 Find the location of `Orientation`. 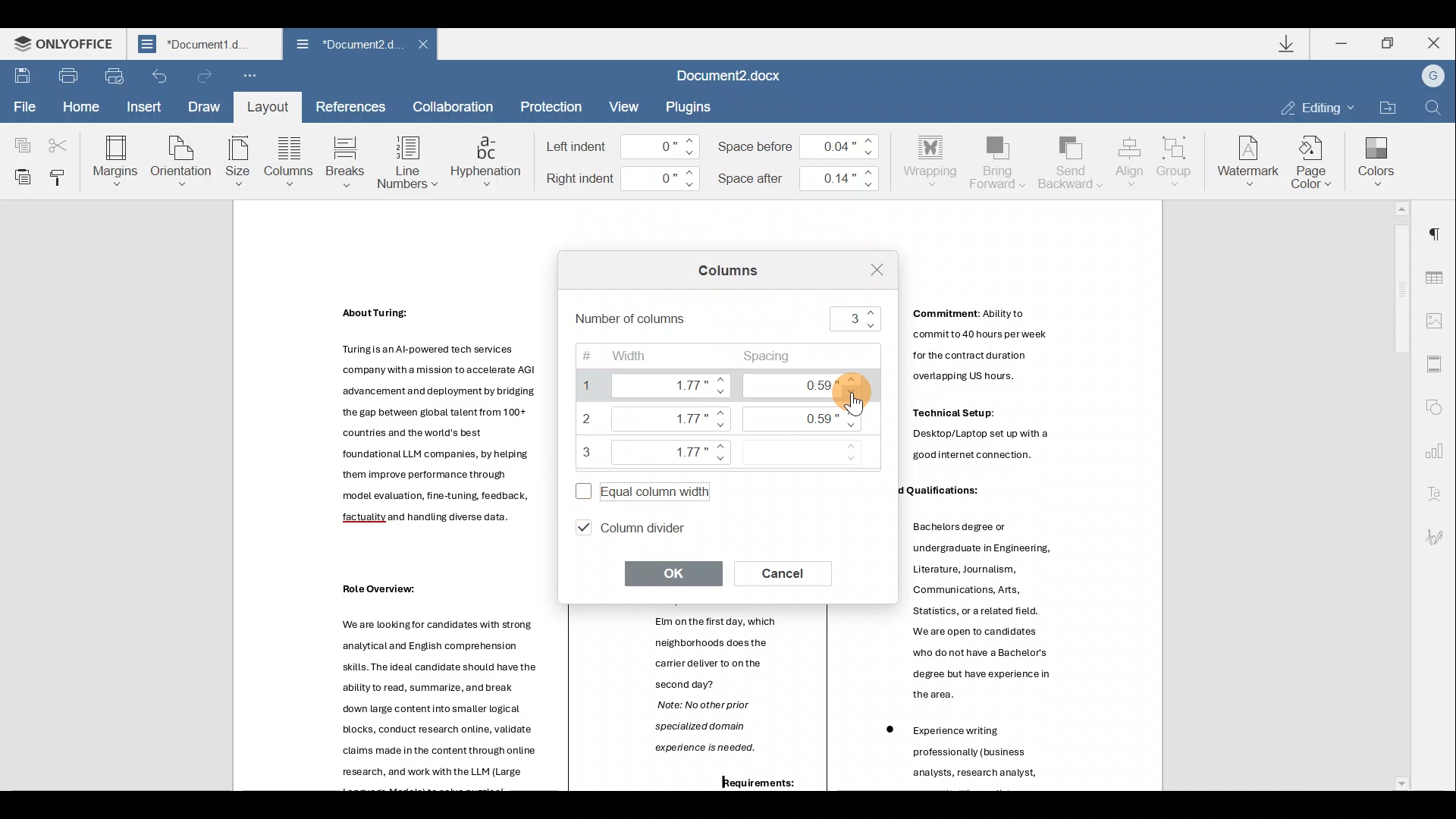

Orientation is located at coordinates (182, 159).